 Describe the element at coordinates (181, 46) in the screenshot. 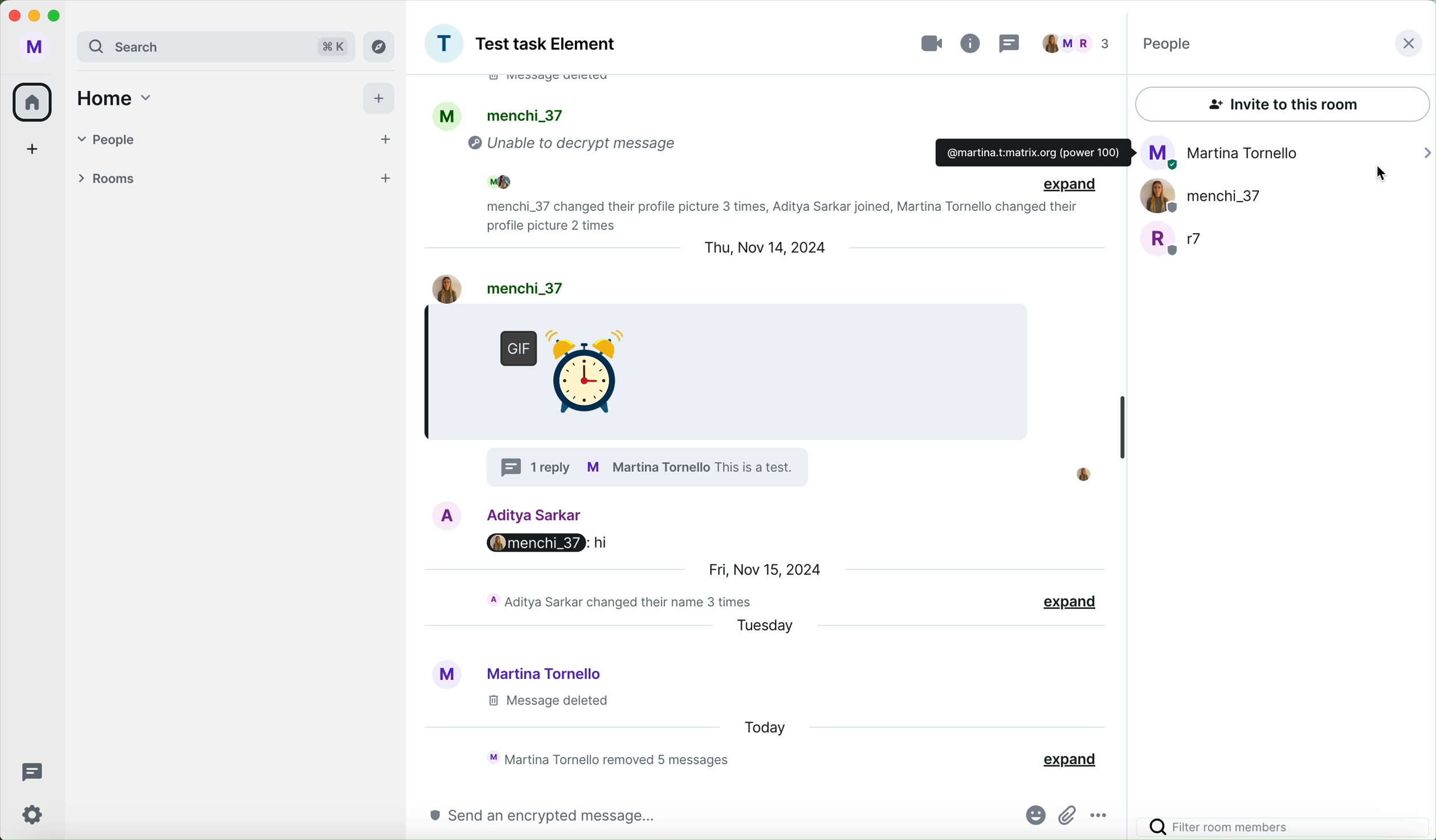

I see `search bar` at that location.